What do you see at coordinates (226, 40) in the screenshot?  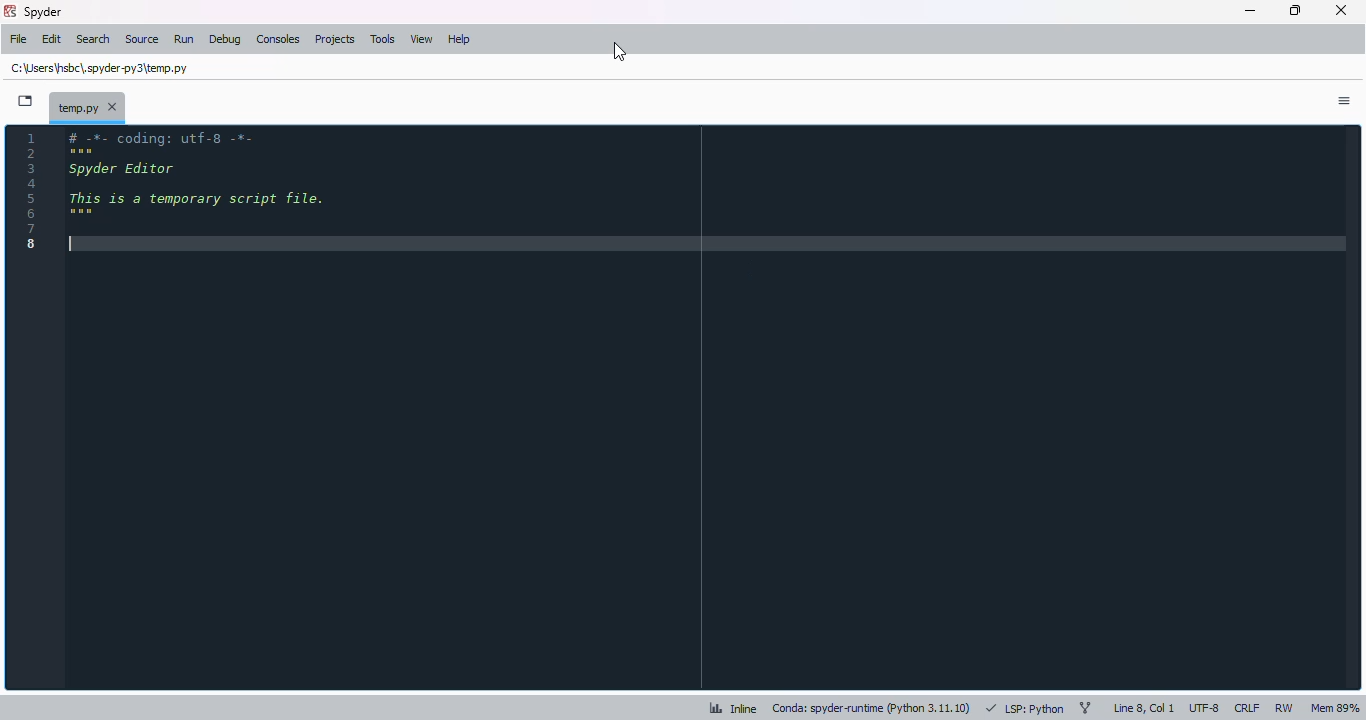 I see `debug` at bounding box center [226, 40].